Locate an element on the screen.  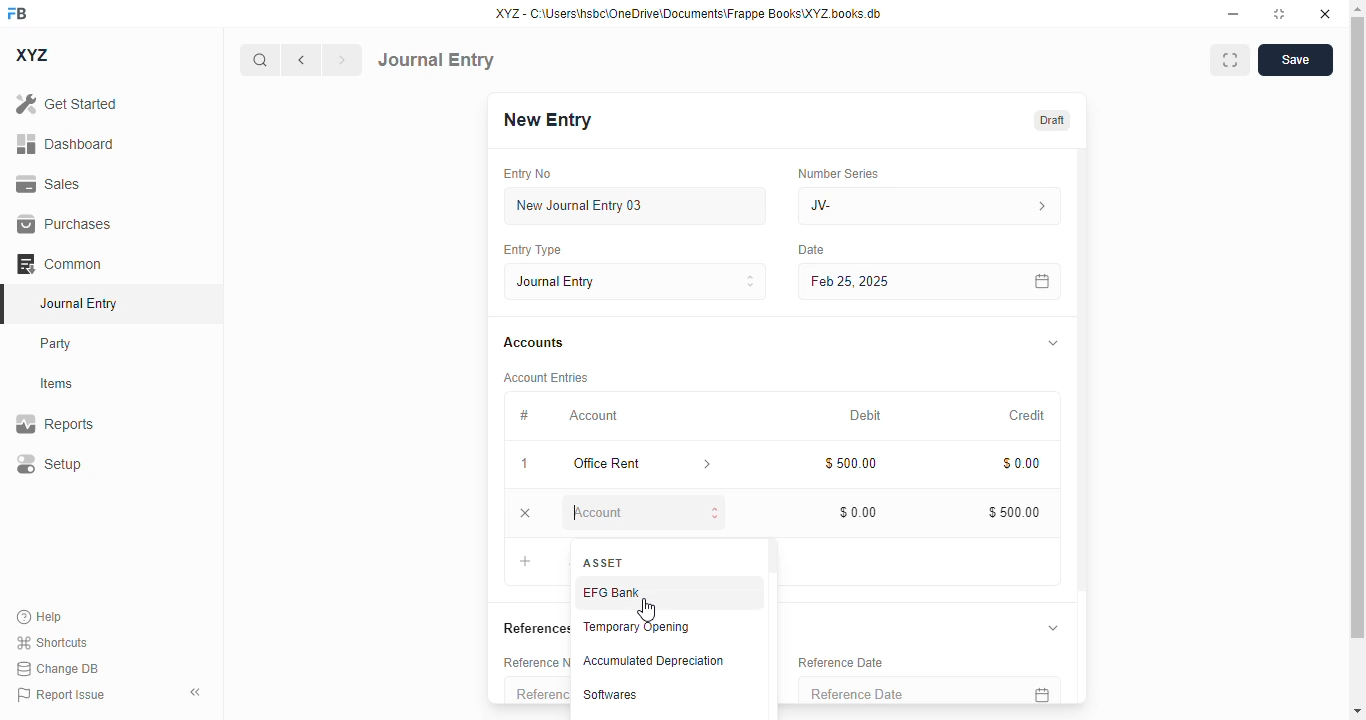
account - typing is located at coordinates (641, 513).